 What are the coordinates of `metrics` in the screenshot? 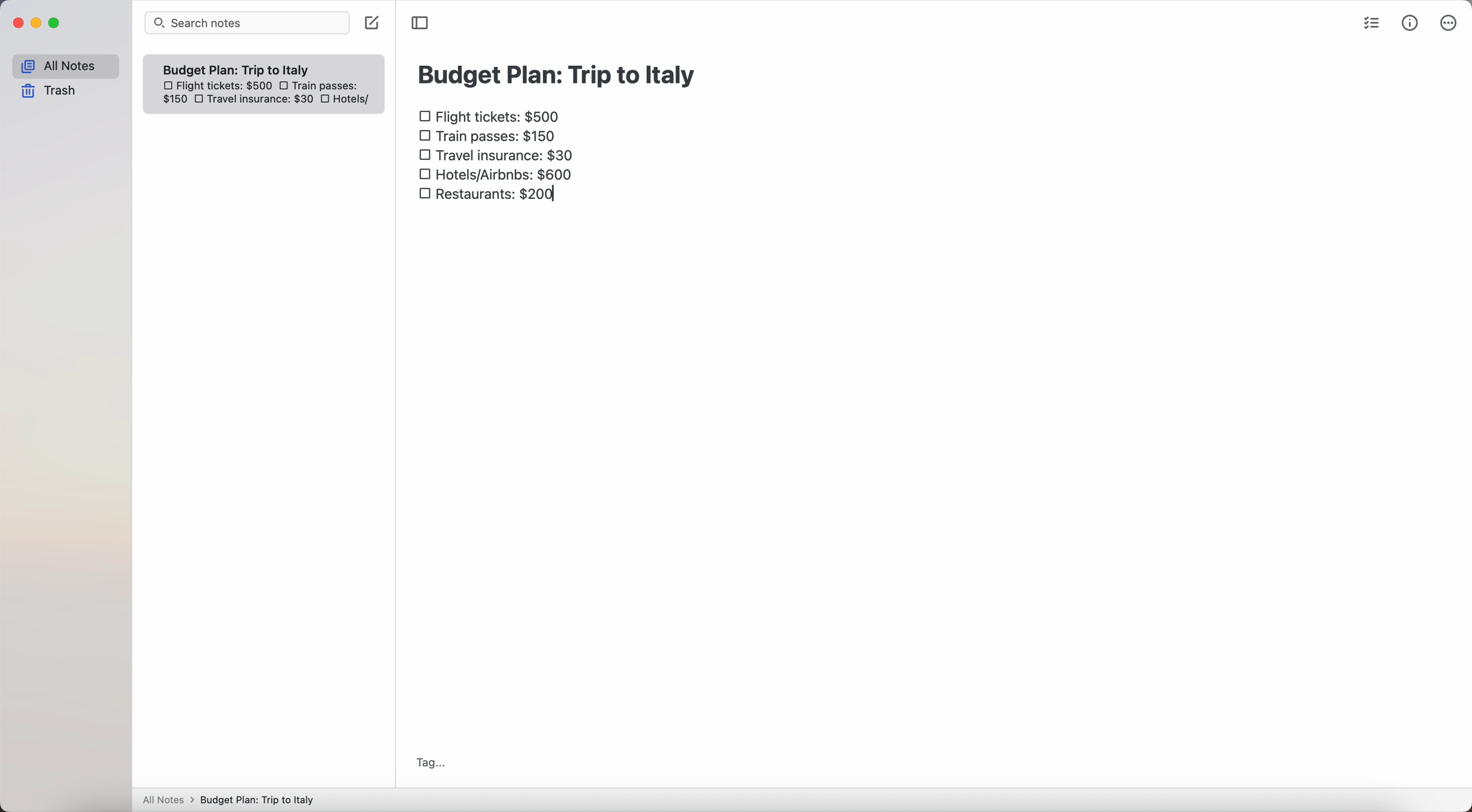 It's located at (1410, 25).